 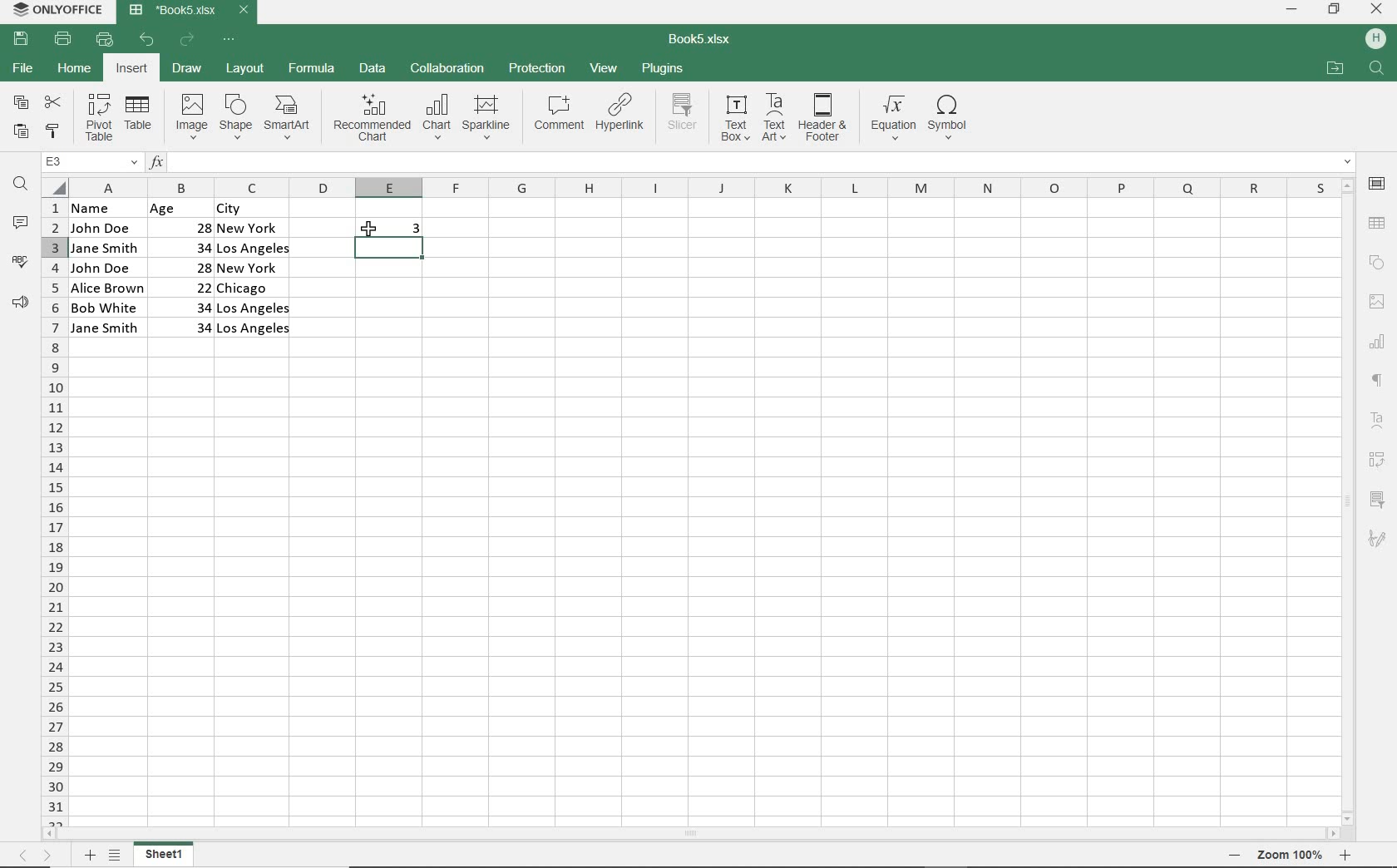 What do you see at coordinates (186, 42) in the screenshot?
I see `REDO` at bounding box center [186, 42].